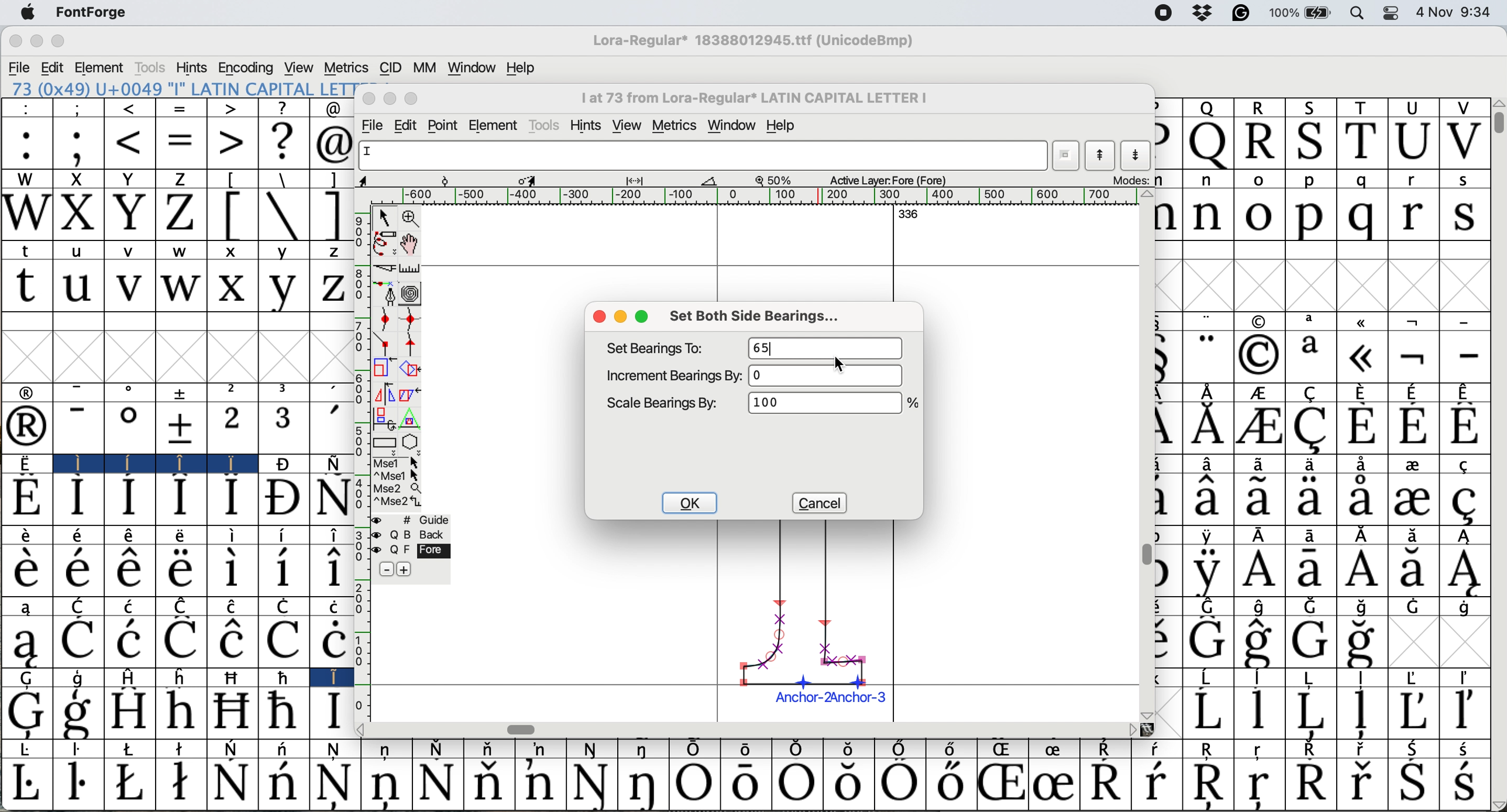  What do you see at coordinates (1312, 750) in the screenshot?
I see `Symbol` at bounding box center [1312, 750].